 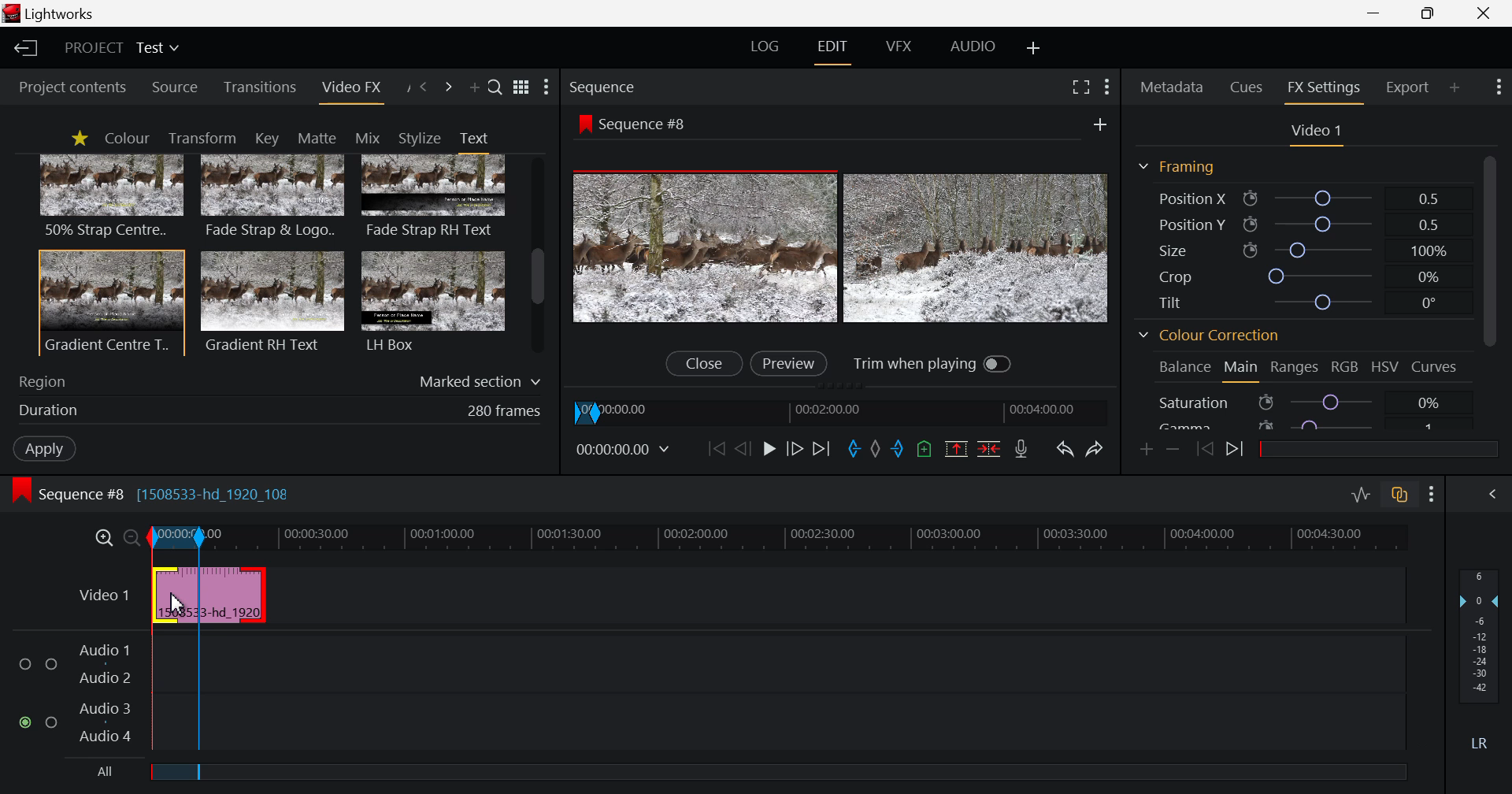 What do you see at coordinates (1065, 449) in the screenshot?
I see `Undo` at bounding box center [1065, 449].